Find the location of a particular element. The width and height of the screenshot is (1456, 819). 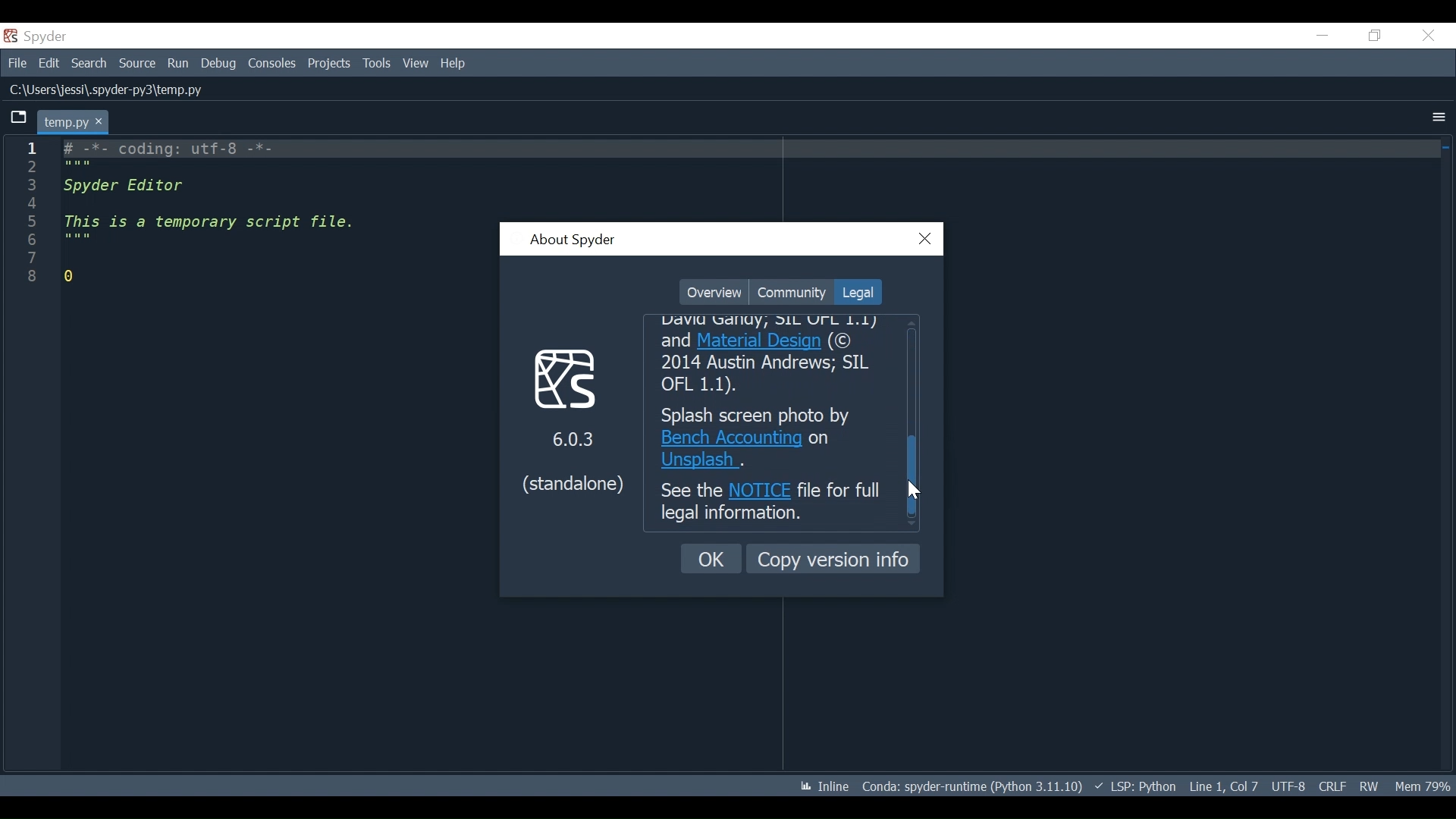

File is located at coordinates (15, 61).